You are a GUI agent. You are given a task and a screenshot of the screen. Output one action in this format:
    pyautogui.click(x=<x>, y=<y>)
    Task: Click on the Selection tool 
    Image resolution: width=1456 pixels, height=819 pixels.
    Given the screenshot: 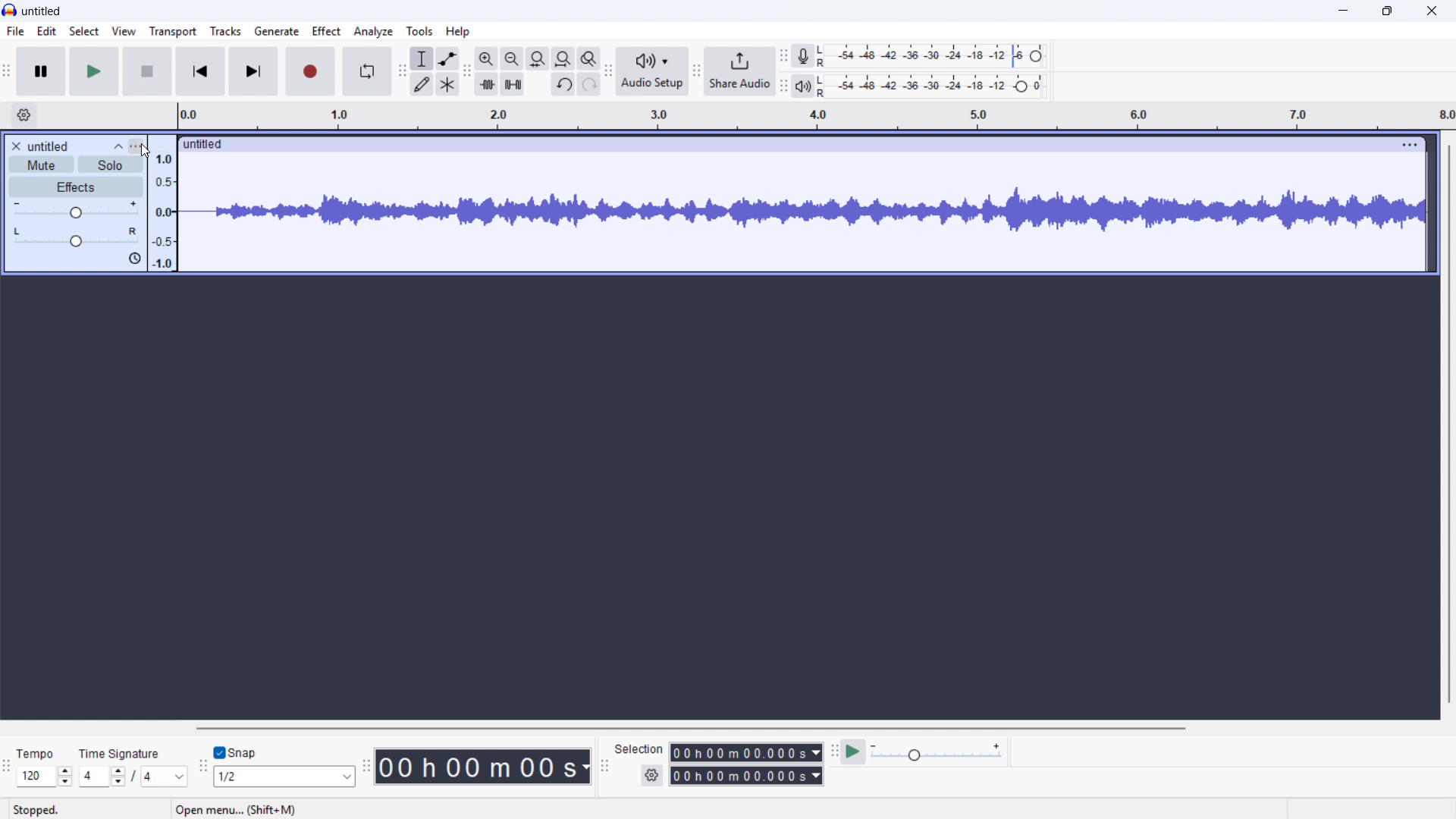 What is the action you would take?
    pyautogui.click(x=422, y=58)
    